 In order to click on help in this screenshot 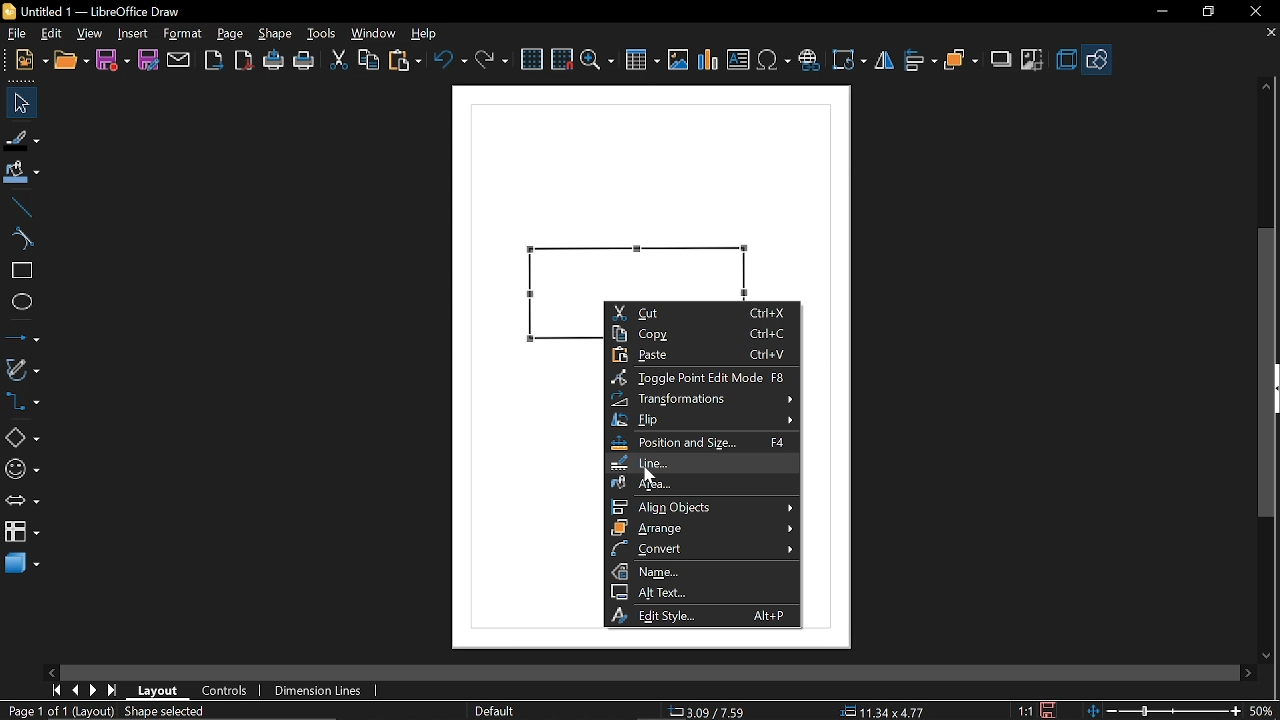, I will do `click(424, 33)`.